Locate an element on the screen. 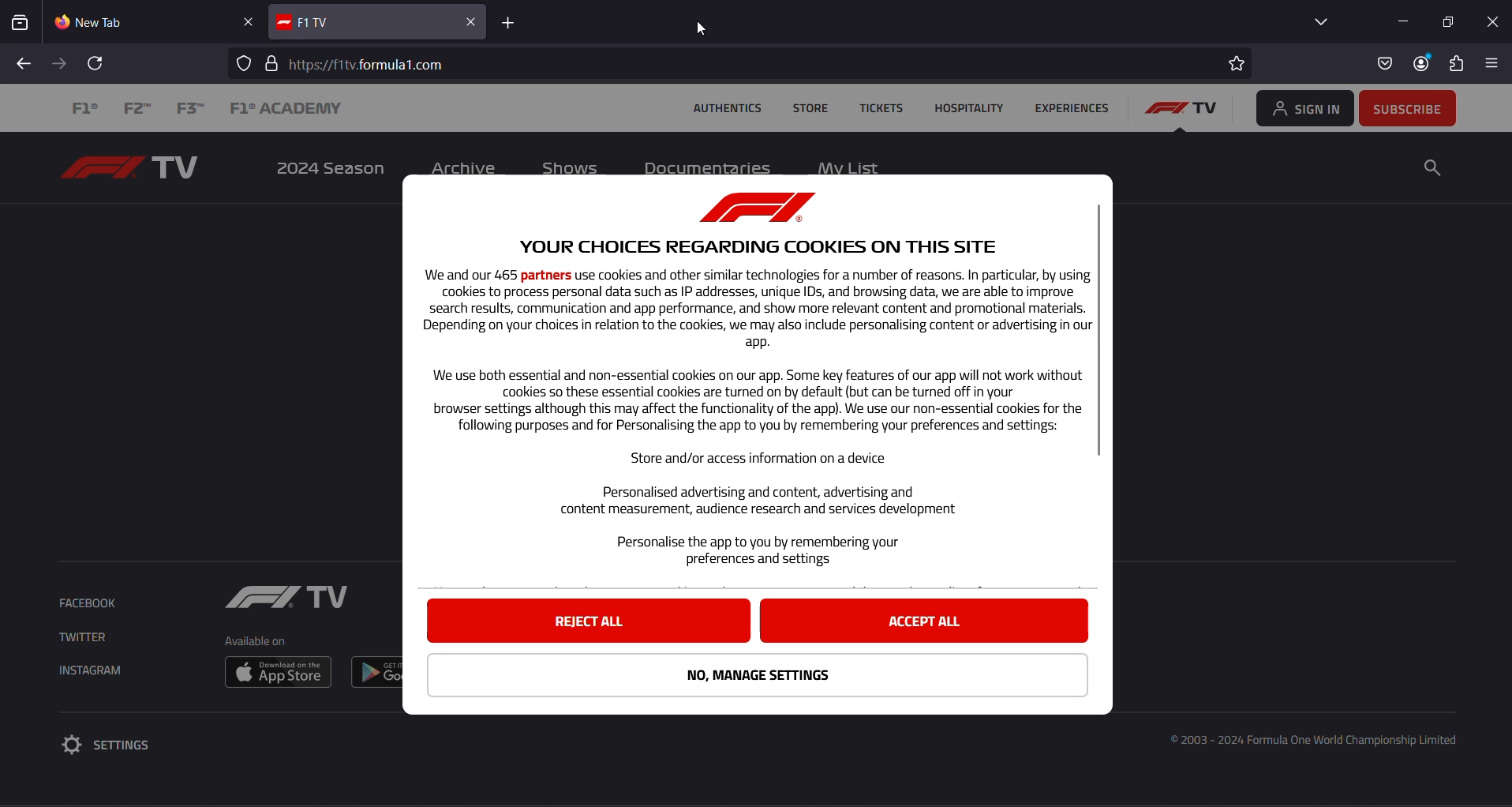  search button is located at coordinates (1432, 168).